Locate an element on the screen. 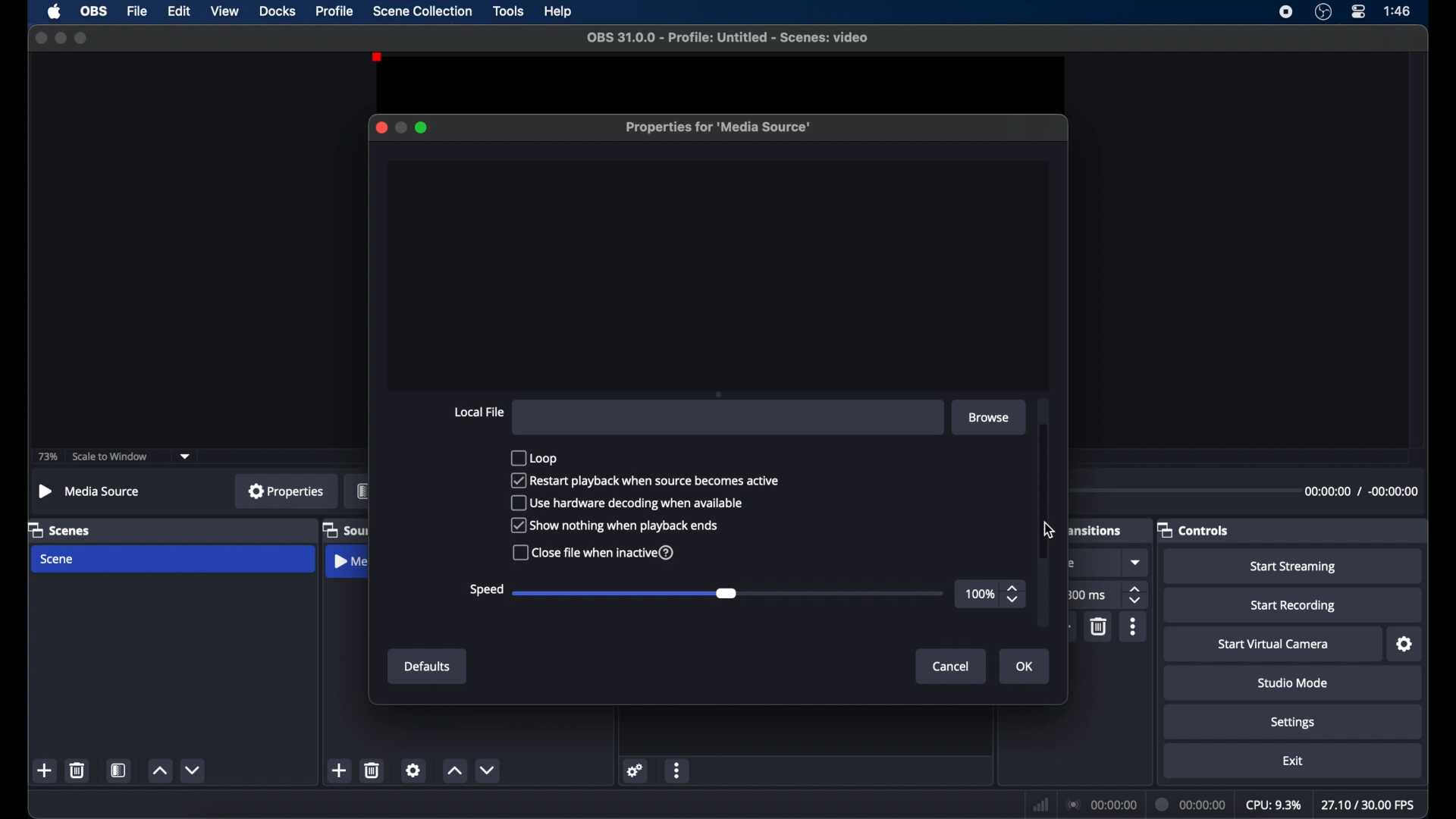  local file is located at coordinates (479, 412).